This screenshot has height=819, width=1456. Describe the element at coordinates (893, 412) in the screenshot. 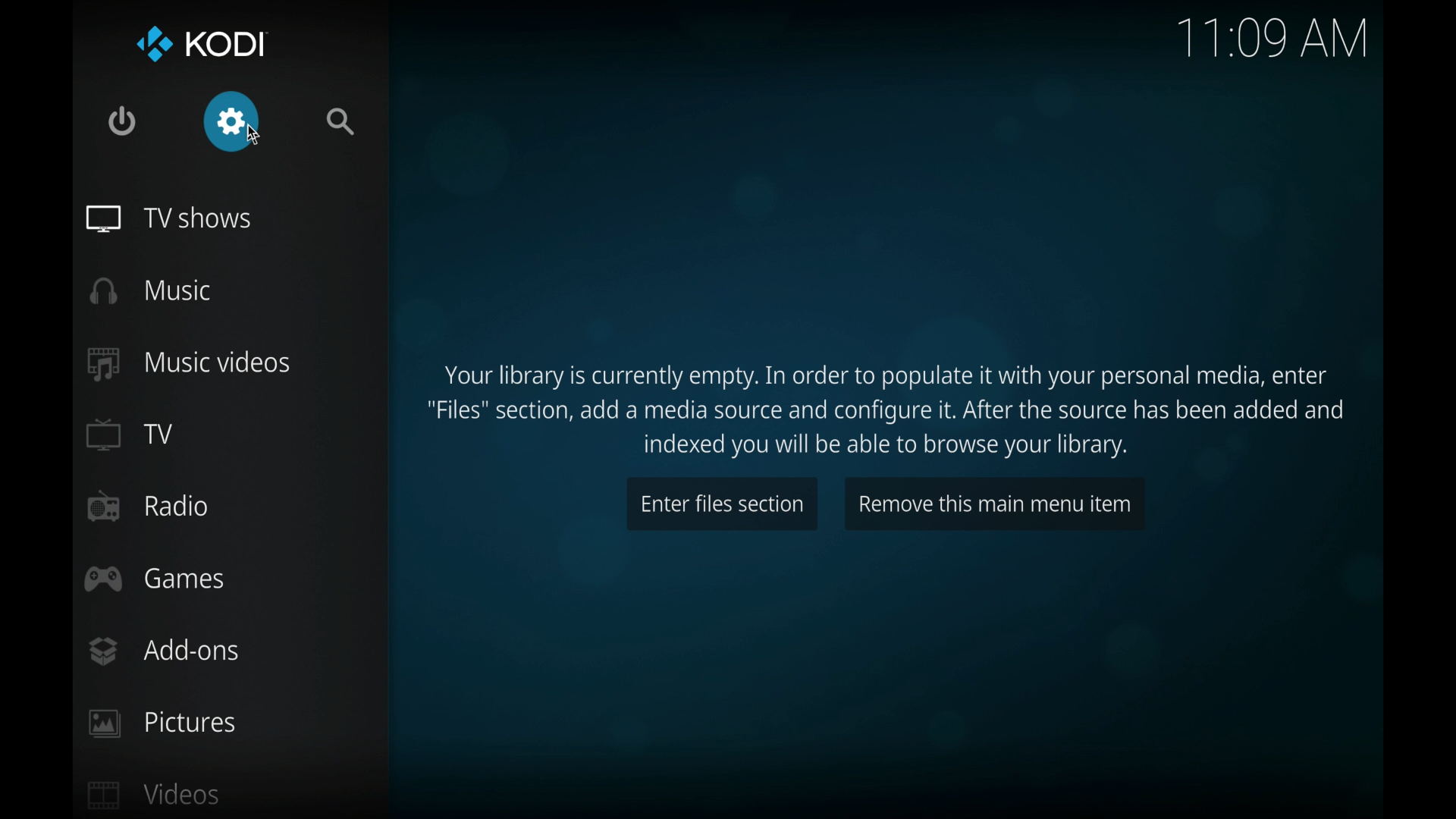

I see `Your library is currently empty. In order to populate it with your personal media, enter
Files" section, add a media source and configure it. After the source has been added and
indexed you will be able to browse your library.` at that location.